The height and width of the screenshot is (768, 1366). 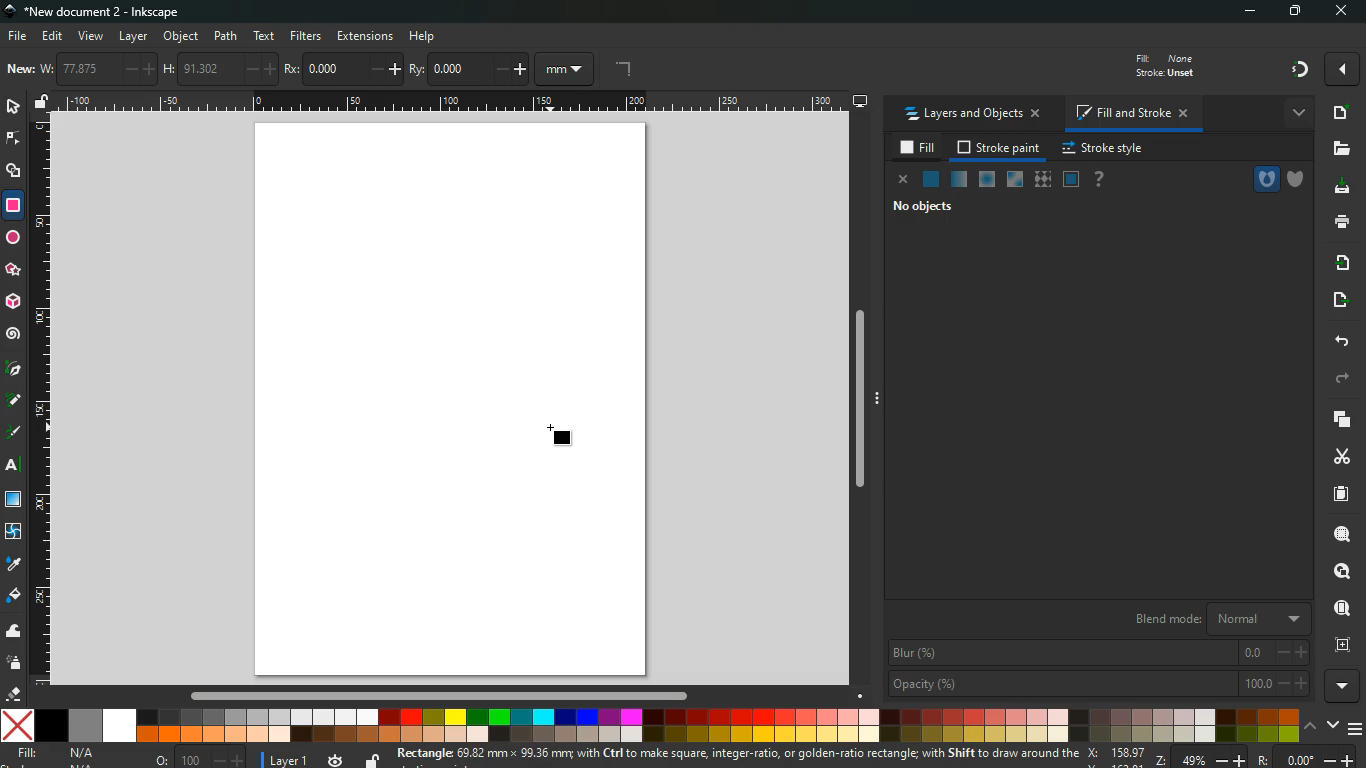 What do you see at coordinates (44, 101) in the screenshot?
I see `unlock` at bounding box center [44, 101].